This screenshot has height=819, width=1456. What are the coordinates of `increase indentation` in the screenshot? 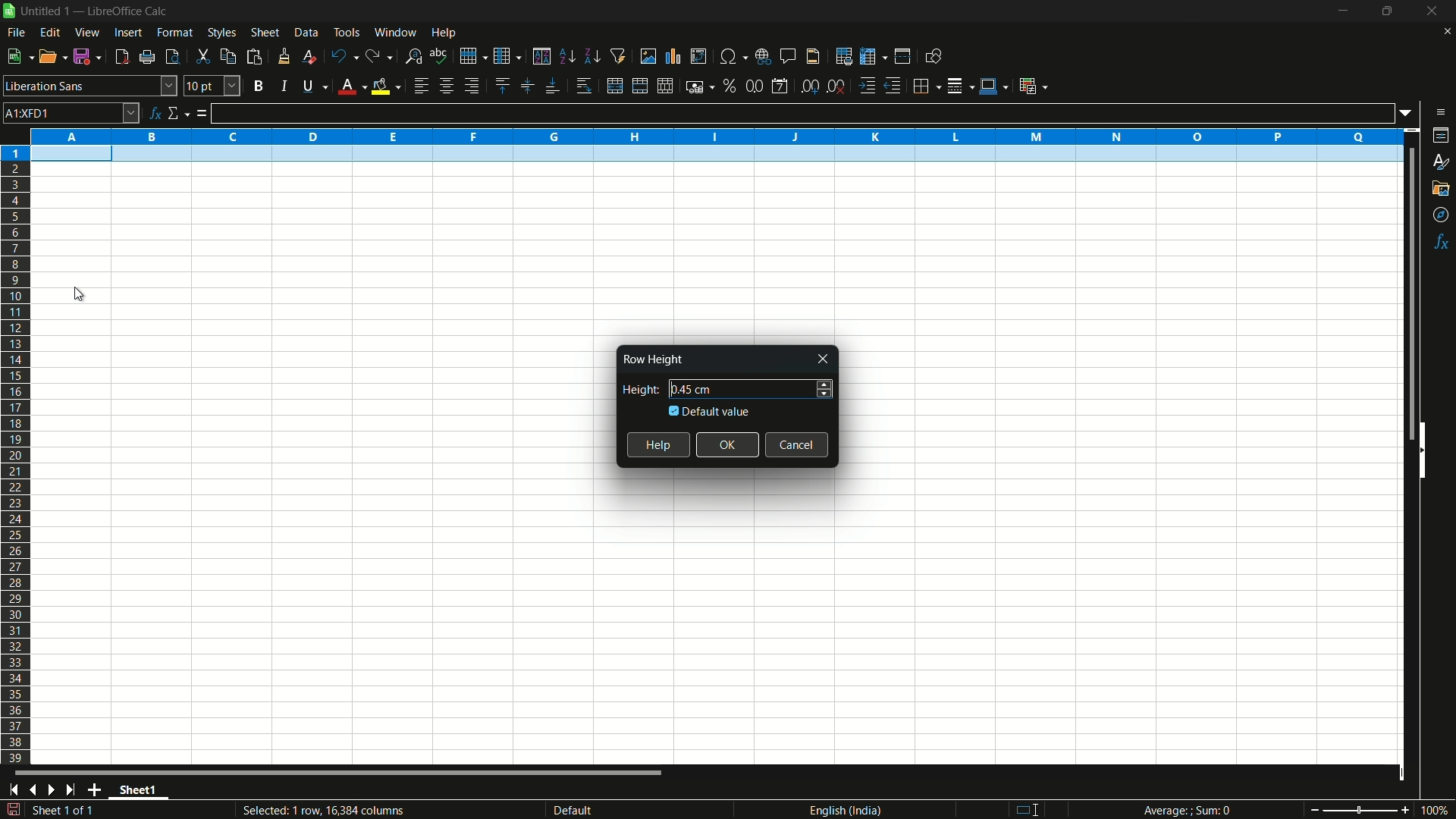 It's located at (868, 86).